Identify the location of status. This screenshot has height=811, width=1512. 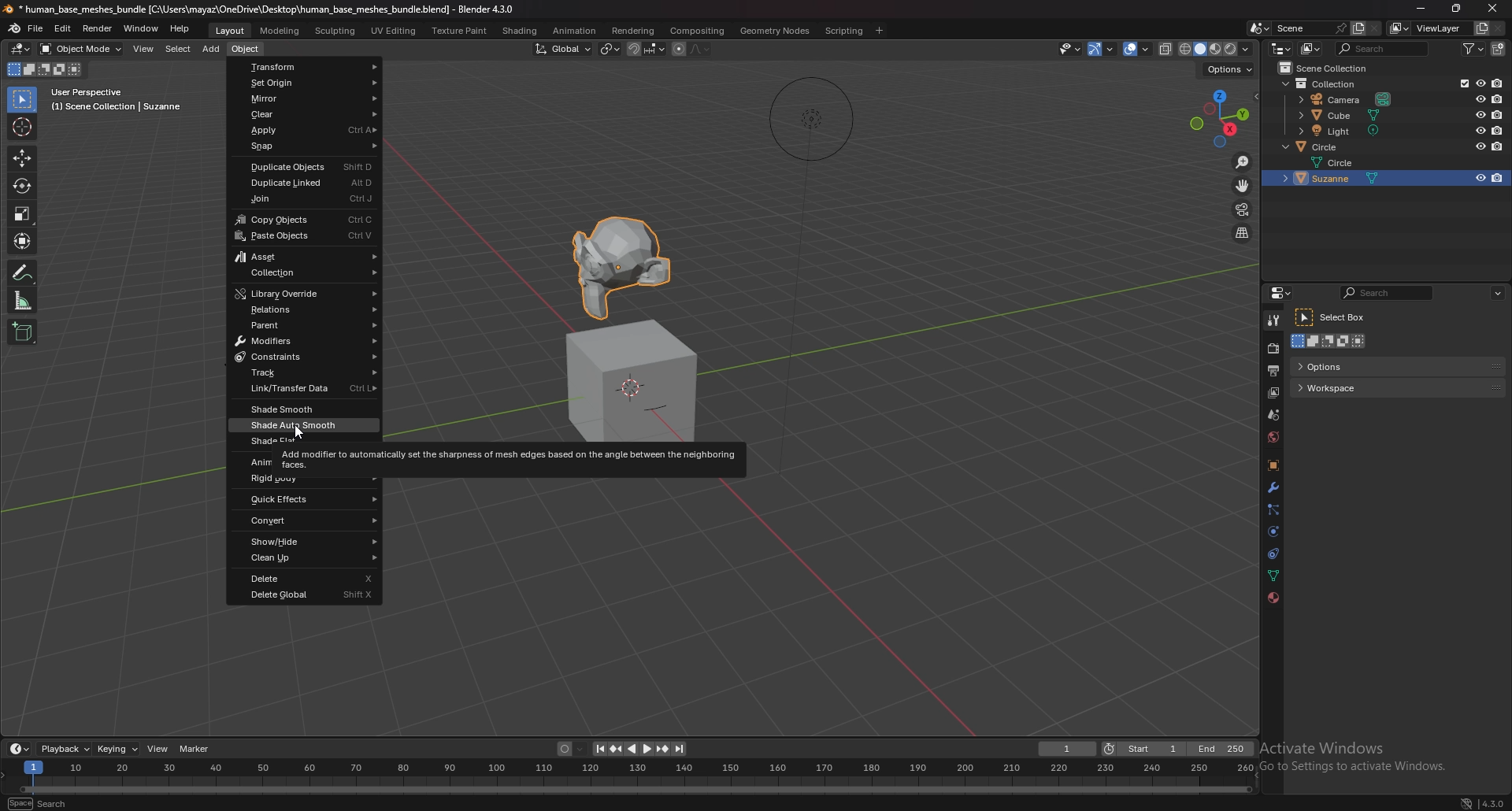
(52, 802).